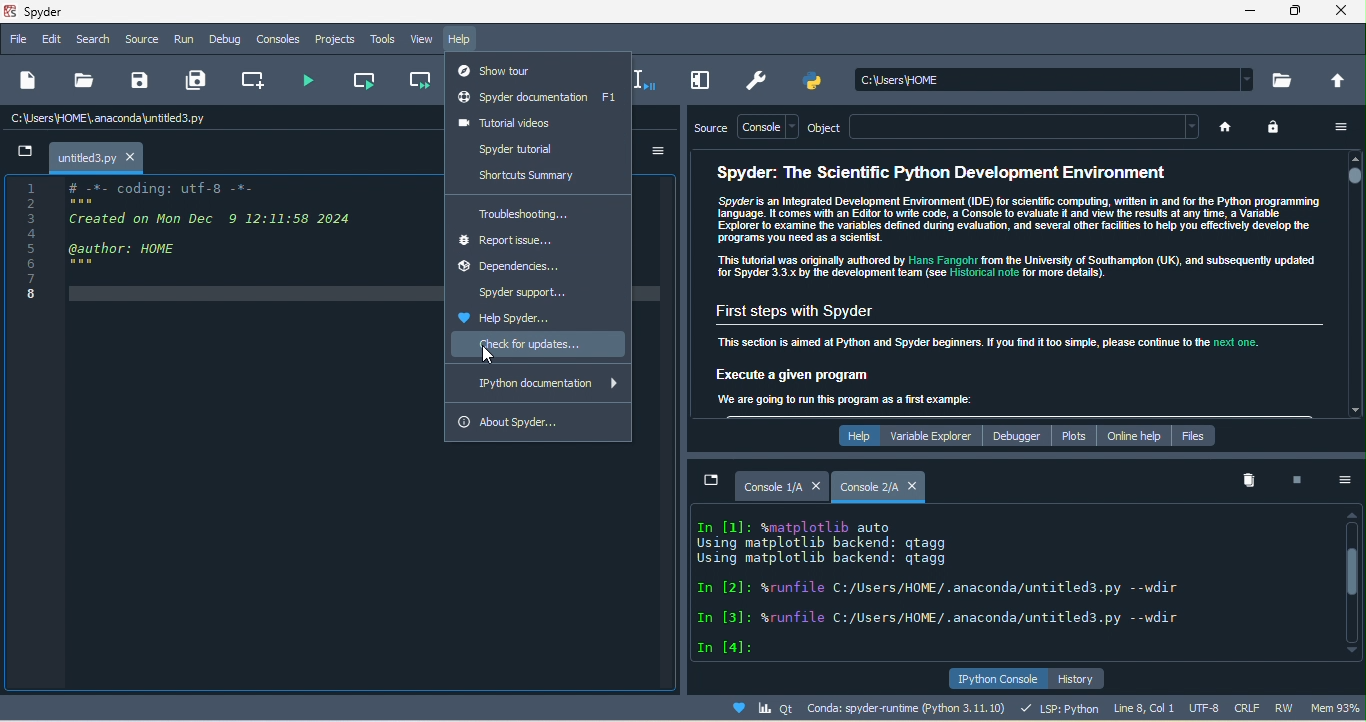  What do you see at coordinates (526, 290) in the screenshot?
I see `spyder support` at bounding box center [526, 290].